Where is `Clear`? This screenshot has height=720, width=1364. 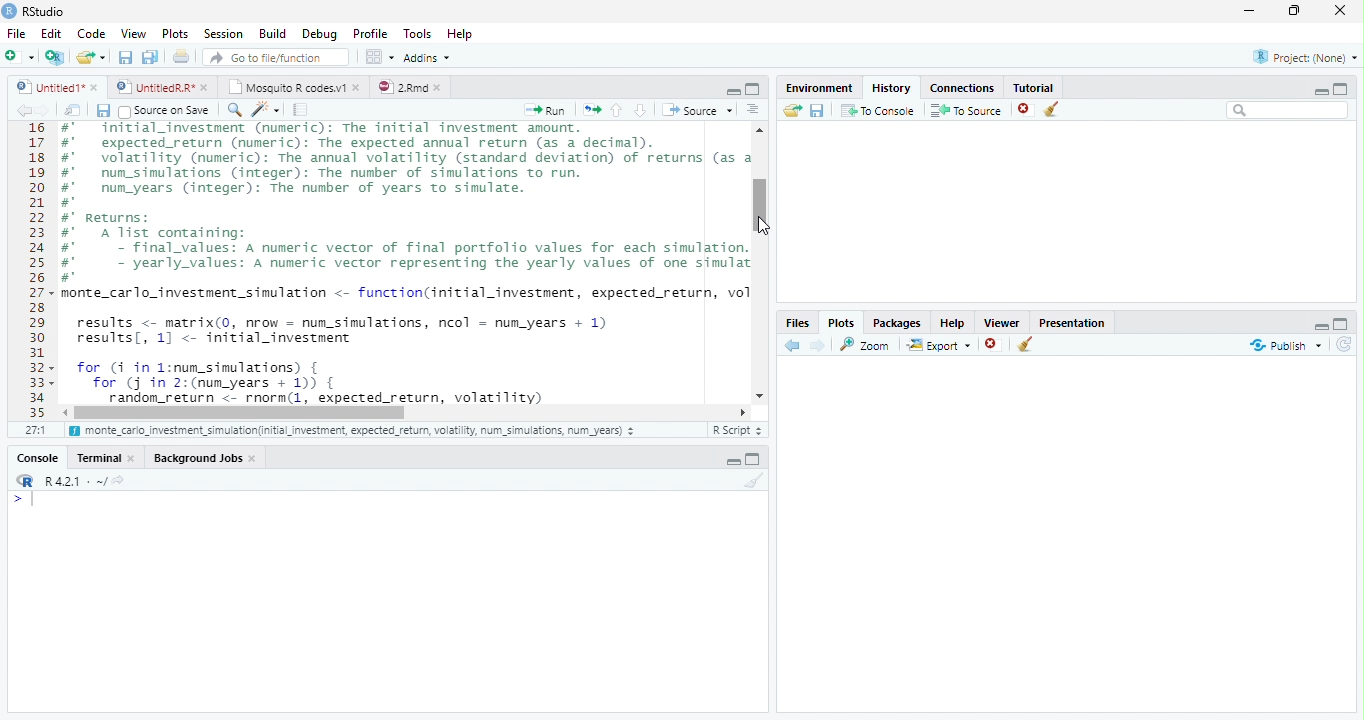
Clear is located at coordinates (1026, 346).